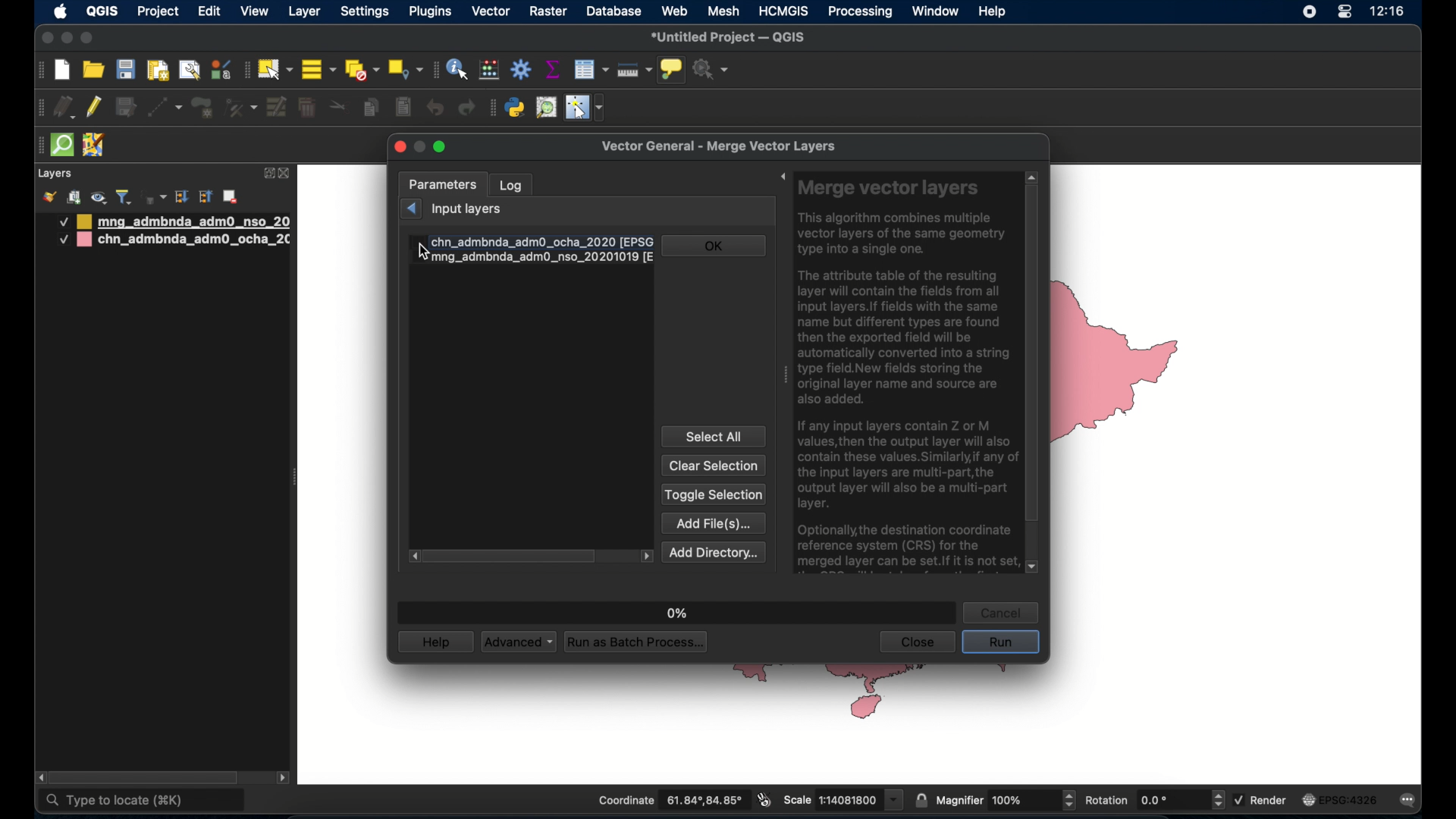 The image size is (1456, 819). What do you see at coordinates (548, 12) in the screenshot?
I see `raster` at bounding box center [548, 12].